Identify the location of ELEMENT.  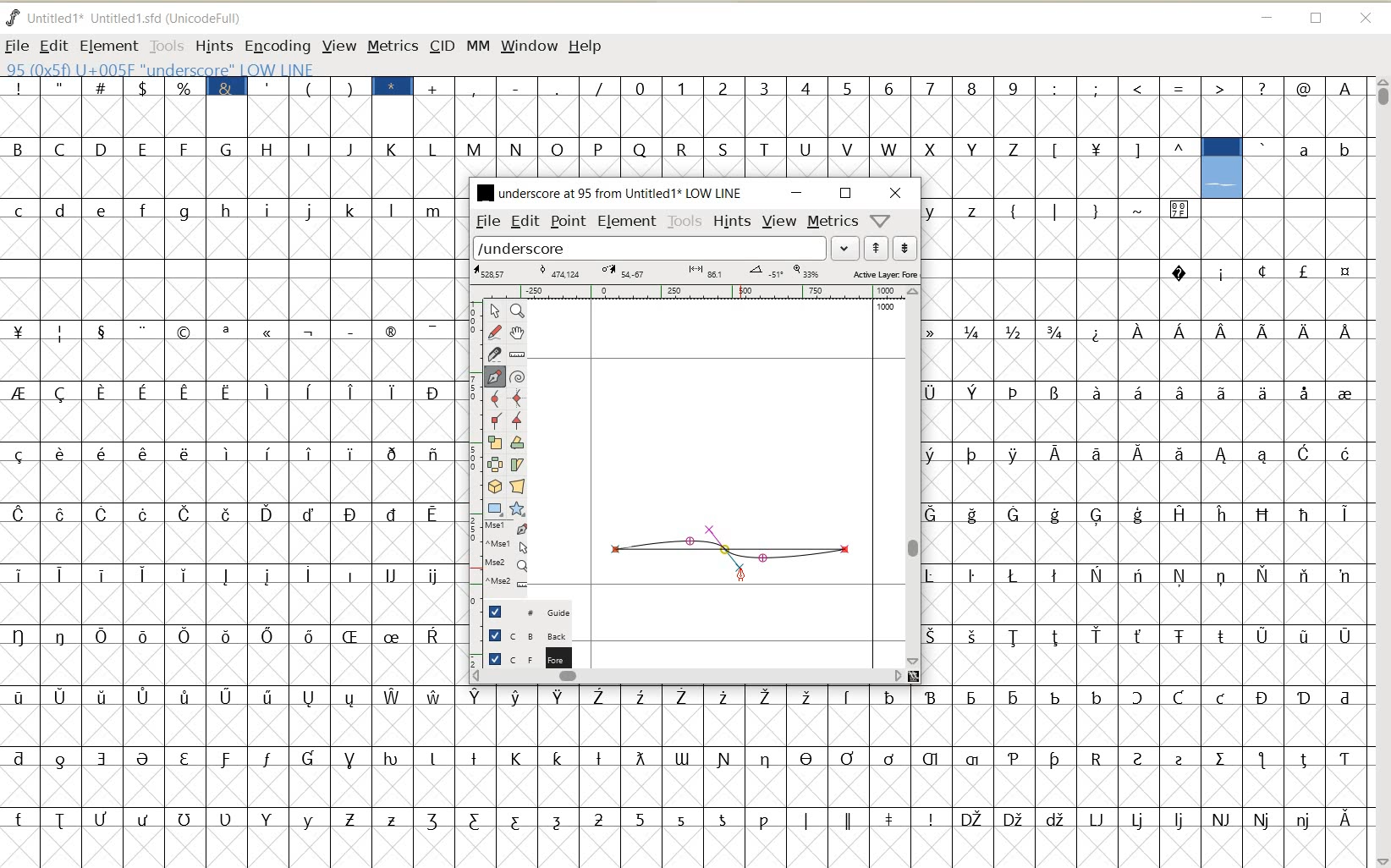
(627, 222).